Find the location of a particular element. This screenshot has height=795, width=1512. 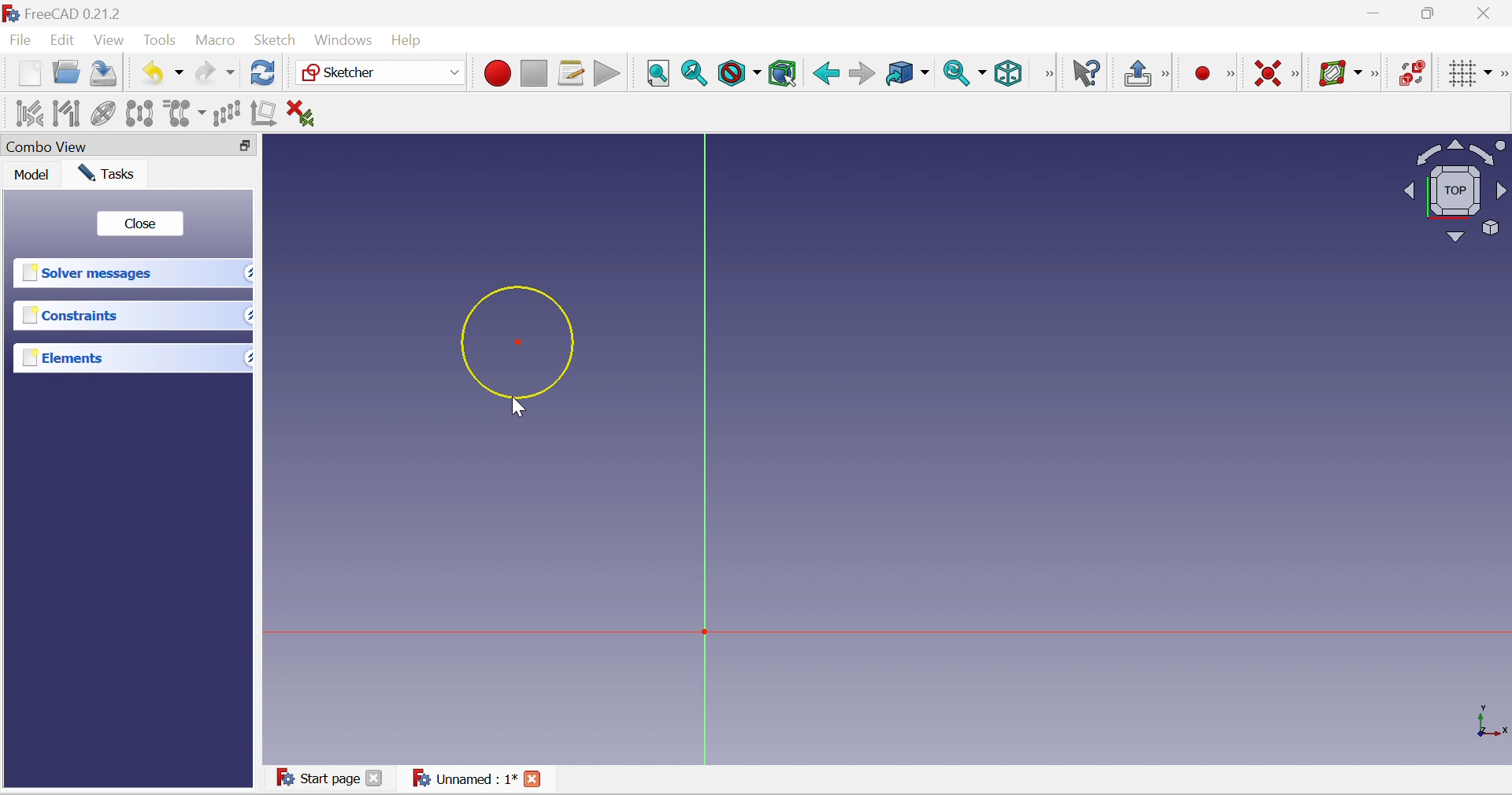

Go to linked object is located at coordinates (905, 75).